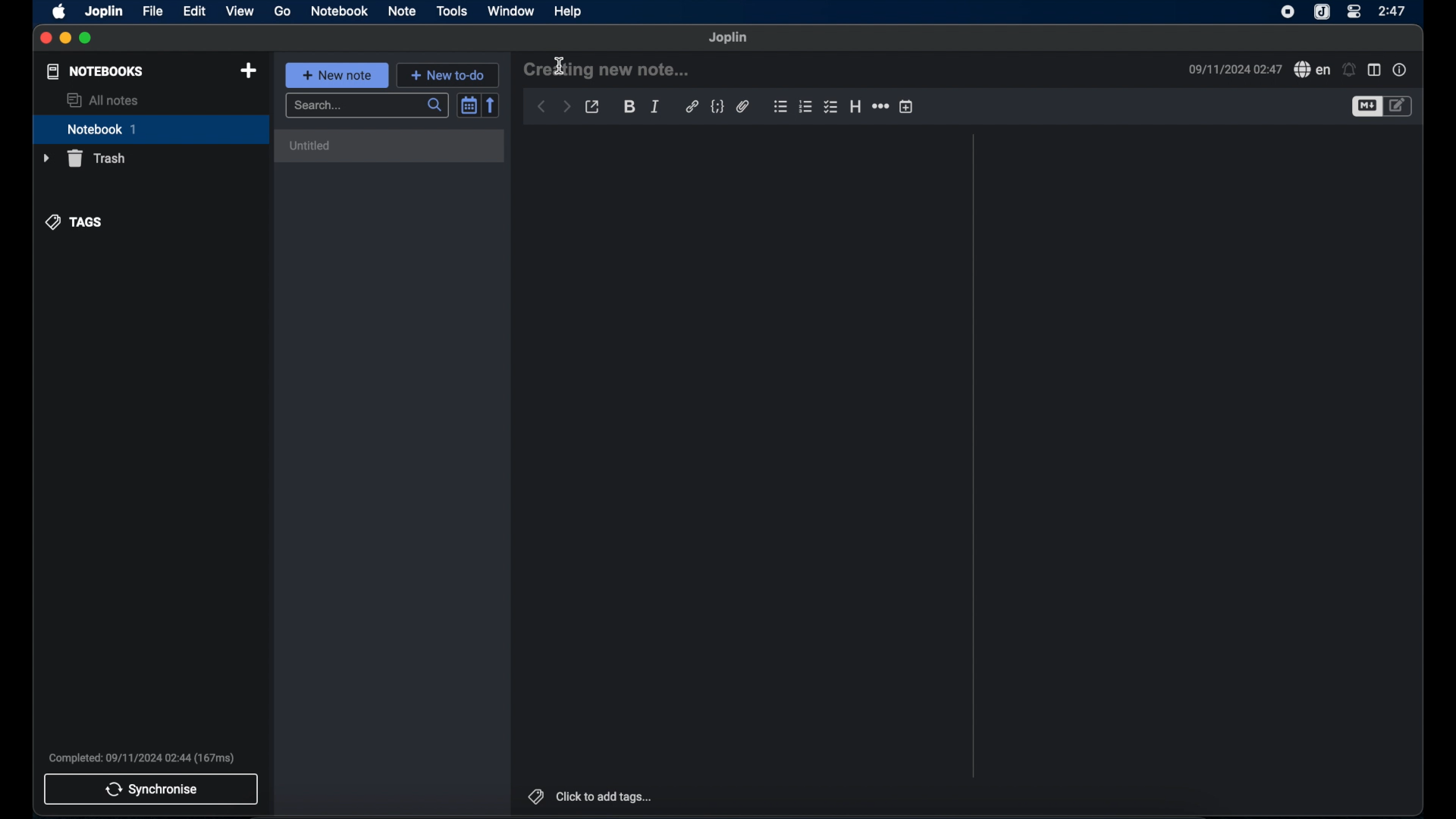 The height and width of the screenshot is (819, 1456). I want to click on back, so click(541, 108).